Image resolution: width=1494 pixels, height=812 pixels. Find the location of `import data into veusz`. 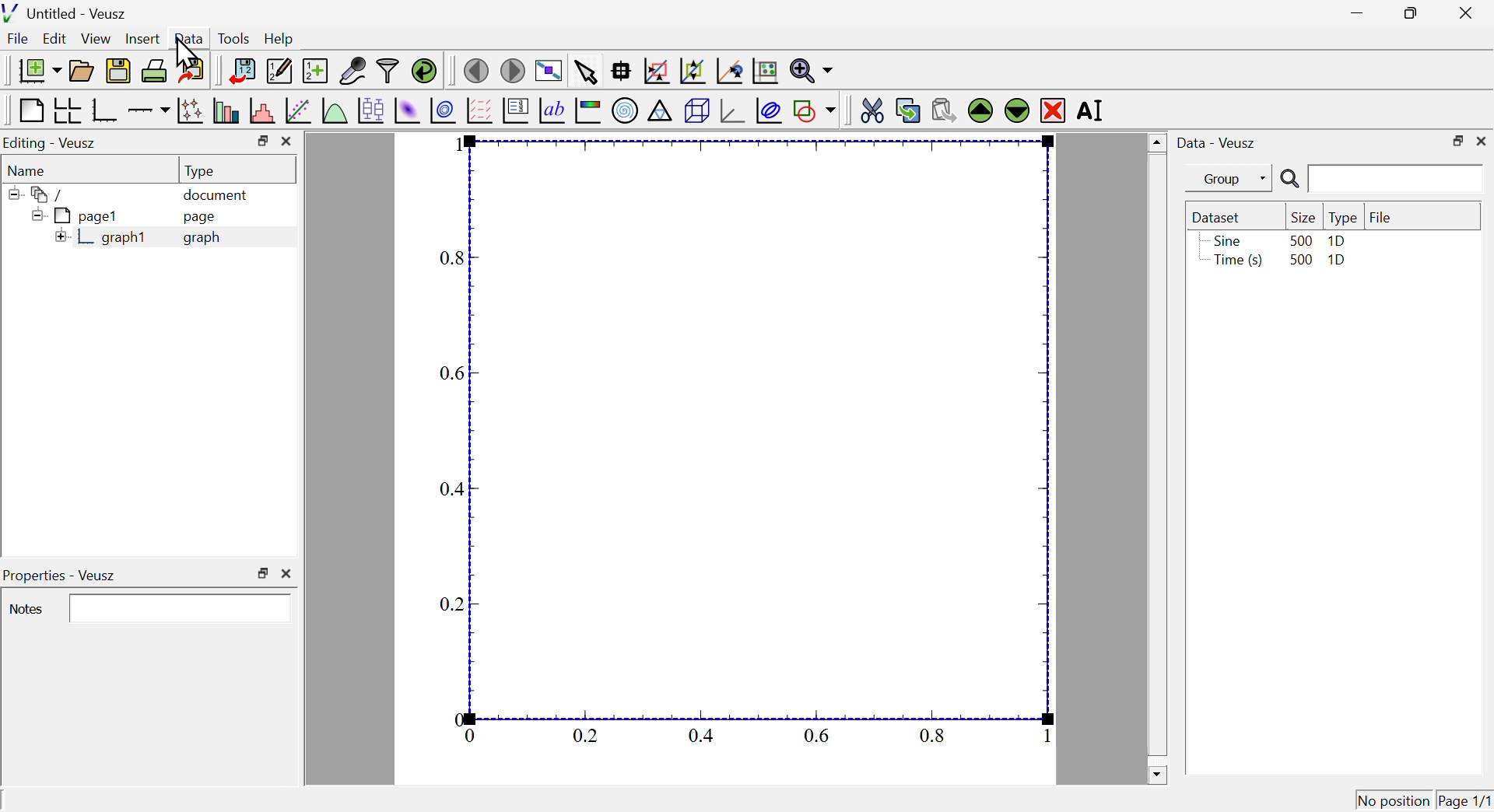

import data into veusz is located at coordinates (240, 72).